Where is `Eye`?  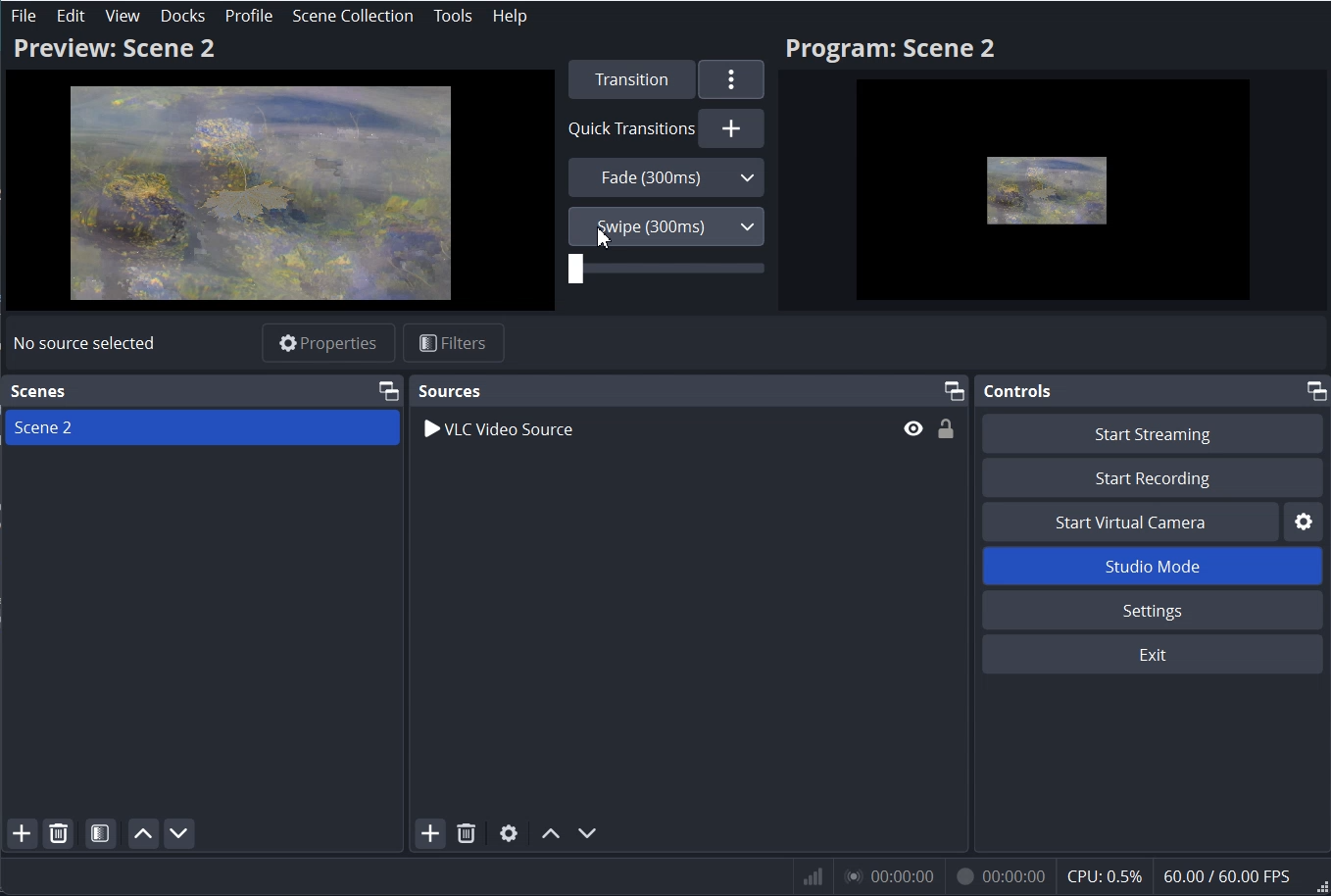
Eye is located at coordinates (913, 427).